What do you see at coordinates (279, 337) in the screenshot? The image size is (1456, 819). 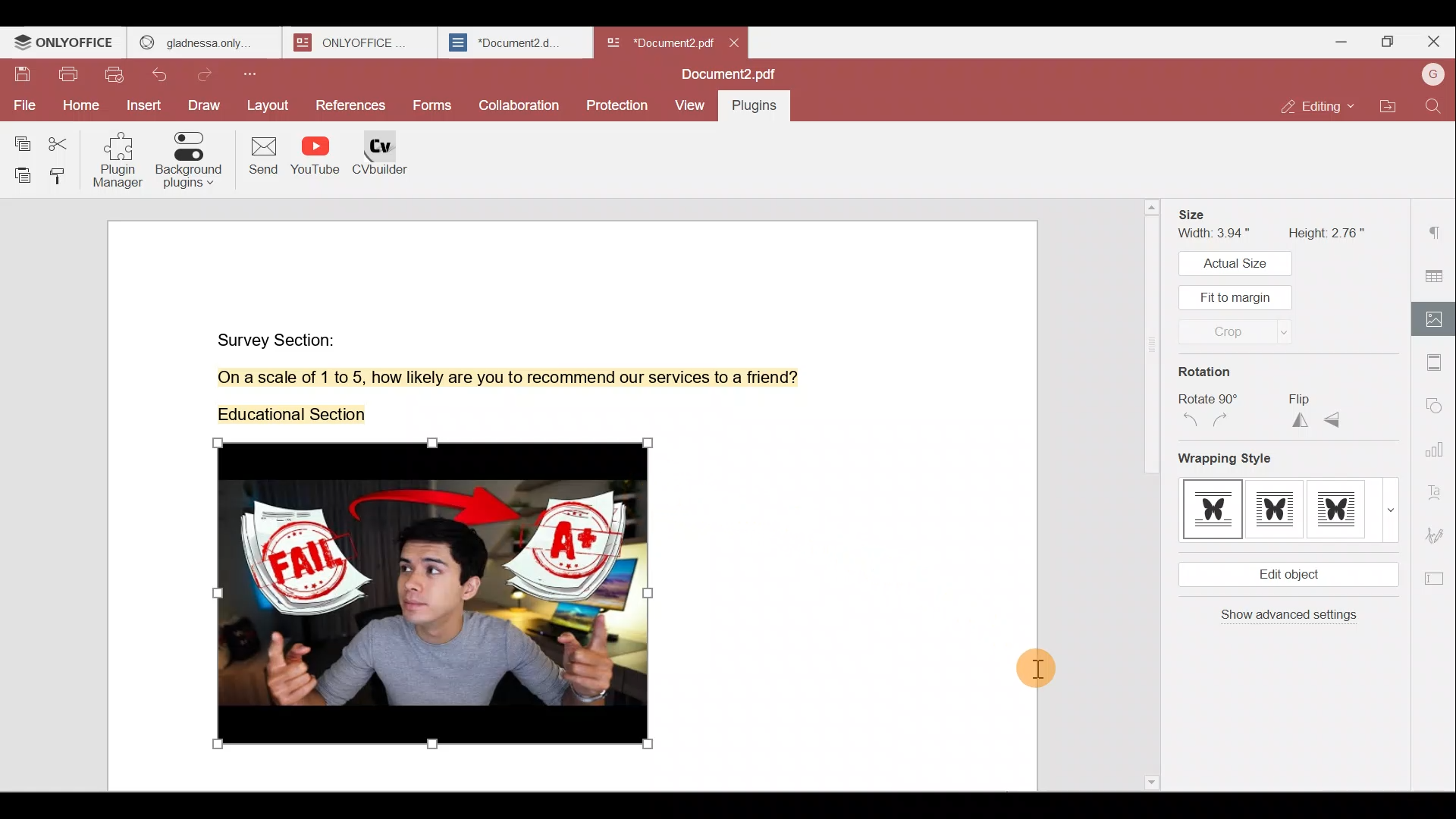 I see `Survey Section:` at bounding box center [279, 337].